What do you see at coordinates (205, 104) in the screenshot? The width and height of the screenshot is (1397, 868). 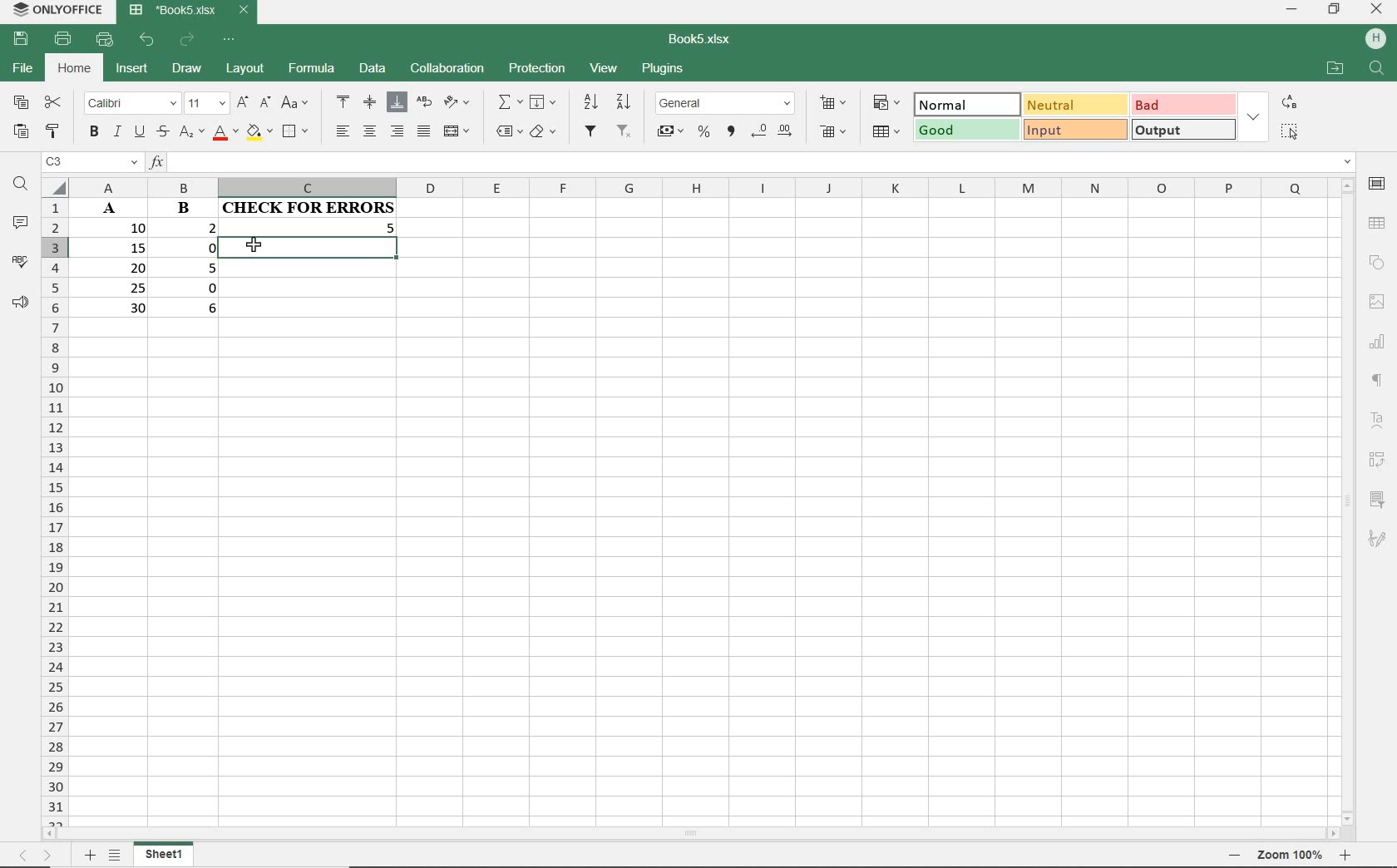 I see `FONT SIZE` at bounding box center [205, 104].